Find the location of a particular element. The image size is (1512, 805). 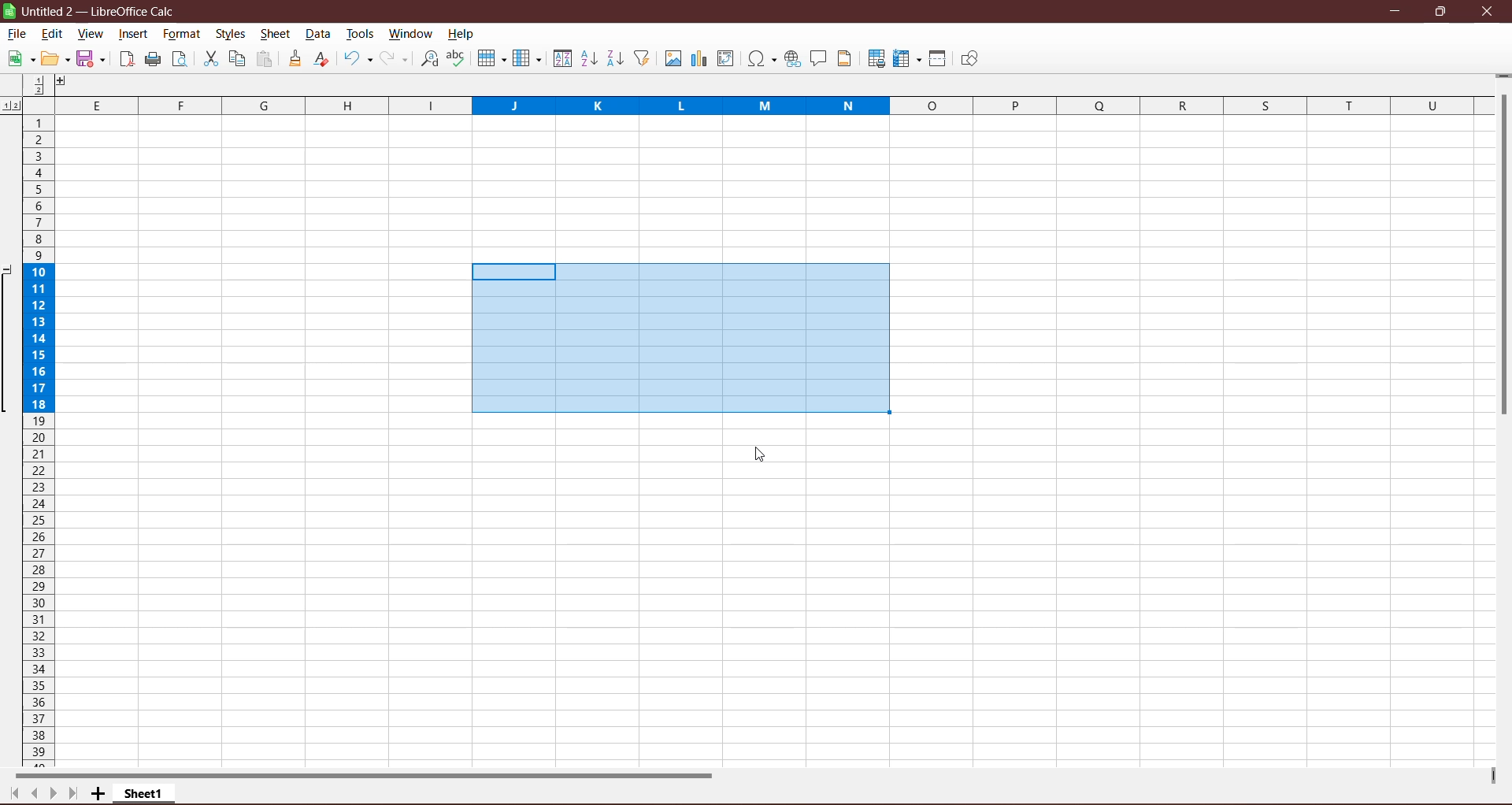

Columns is located at coordinates (527, 58).